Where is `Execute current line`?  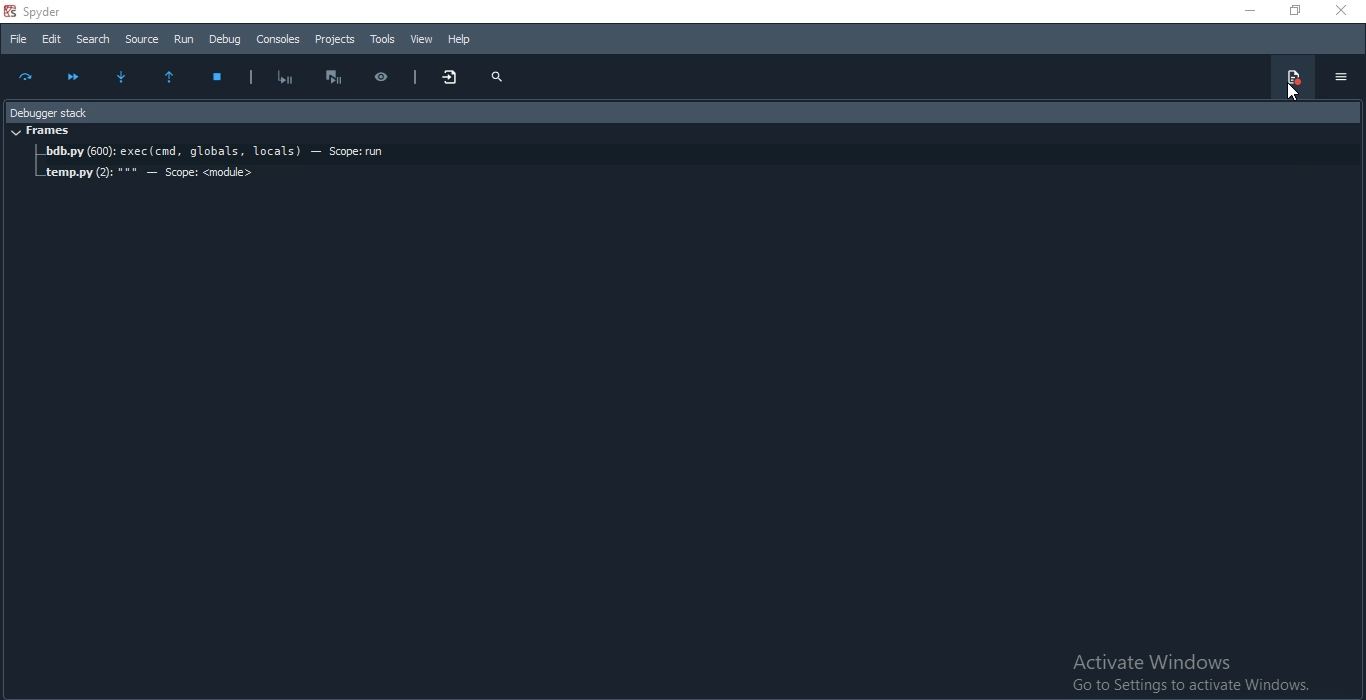 Execute current line is located at coordinates (28, 79).